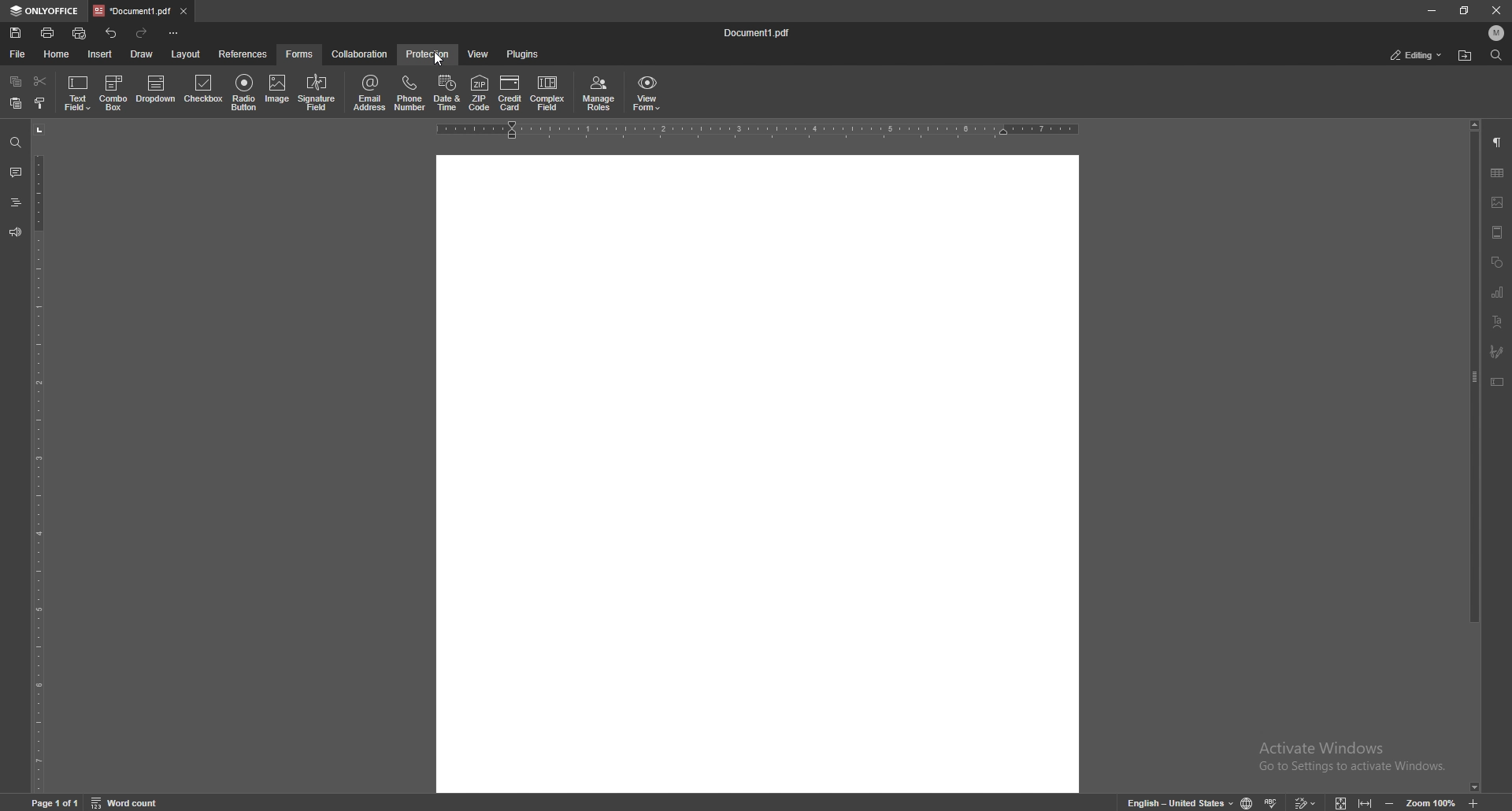  What do you see at coordinates (132, 10) in the screenshot?
I see `tab` at bounding box center [132, 10].